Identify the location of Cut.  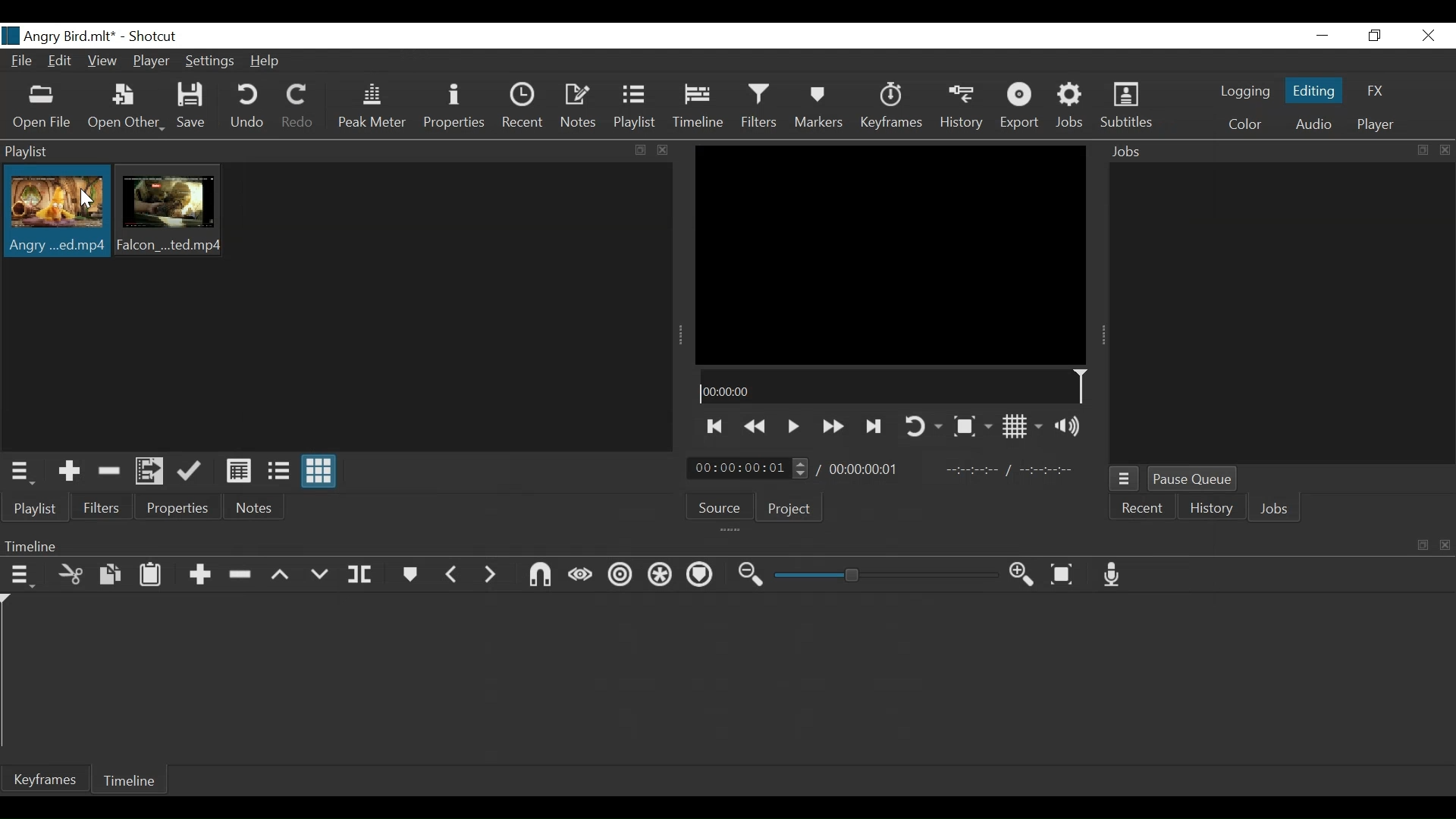
(71, 574).